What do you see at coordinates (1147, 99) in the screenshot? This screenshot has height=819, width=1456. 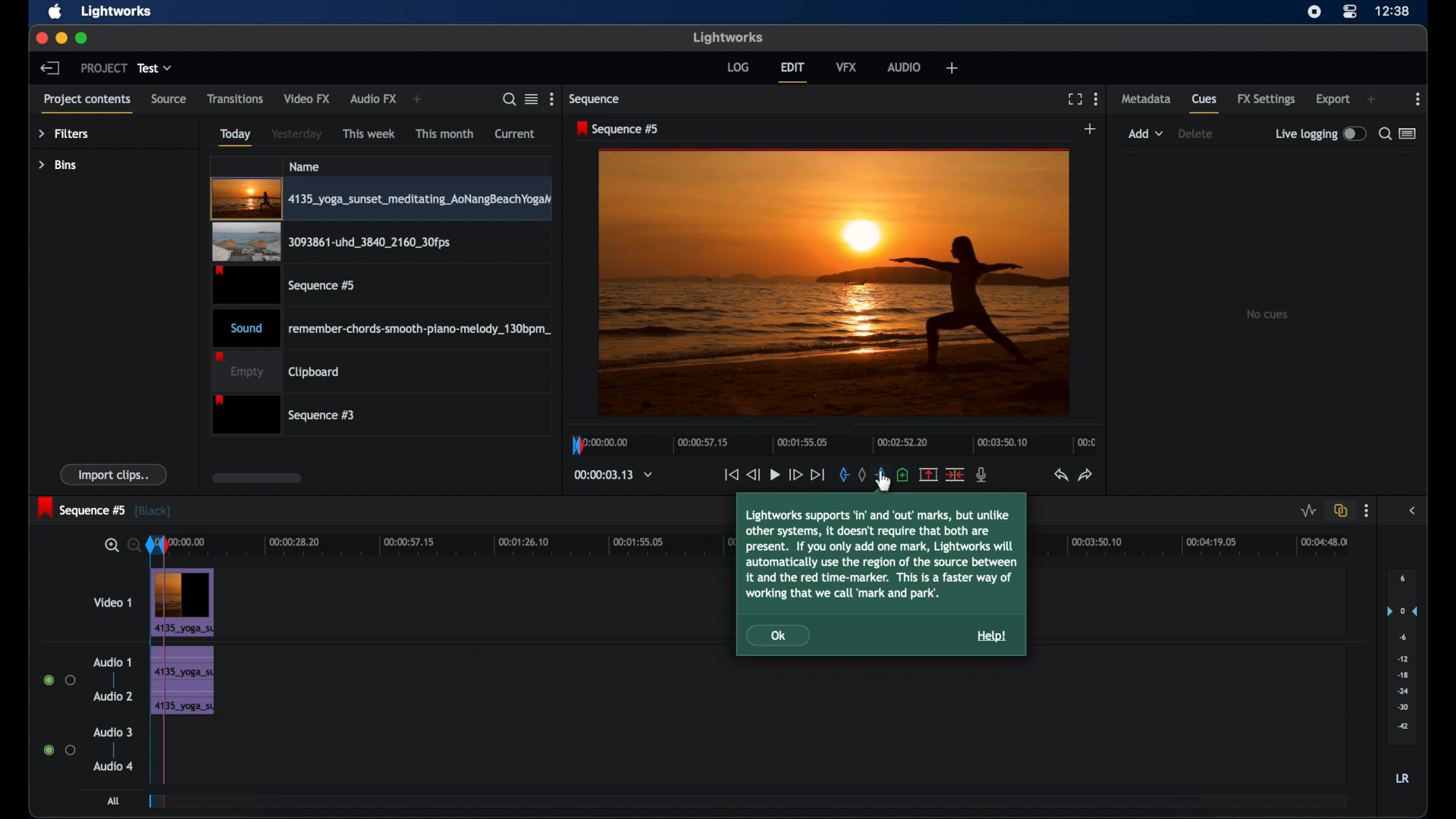 I see `metadata` at bounding box center [1147, 99].